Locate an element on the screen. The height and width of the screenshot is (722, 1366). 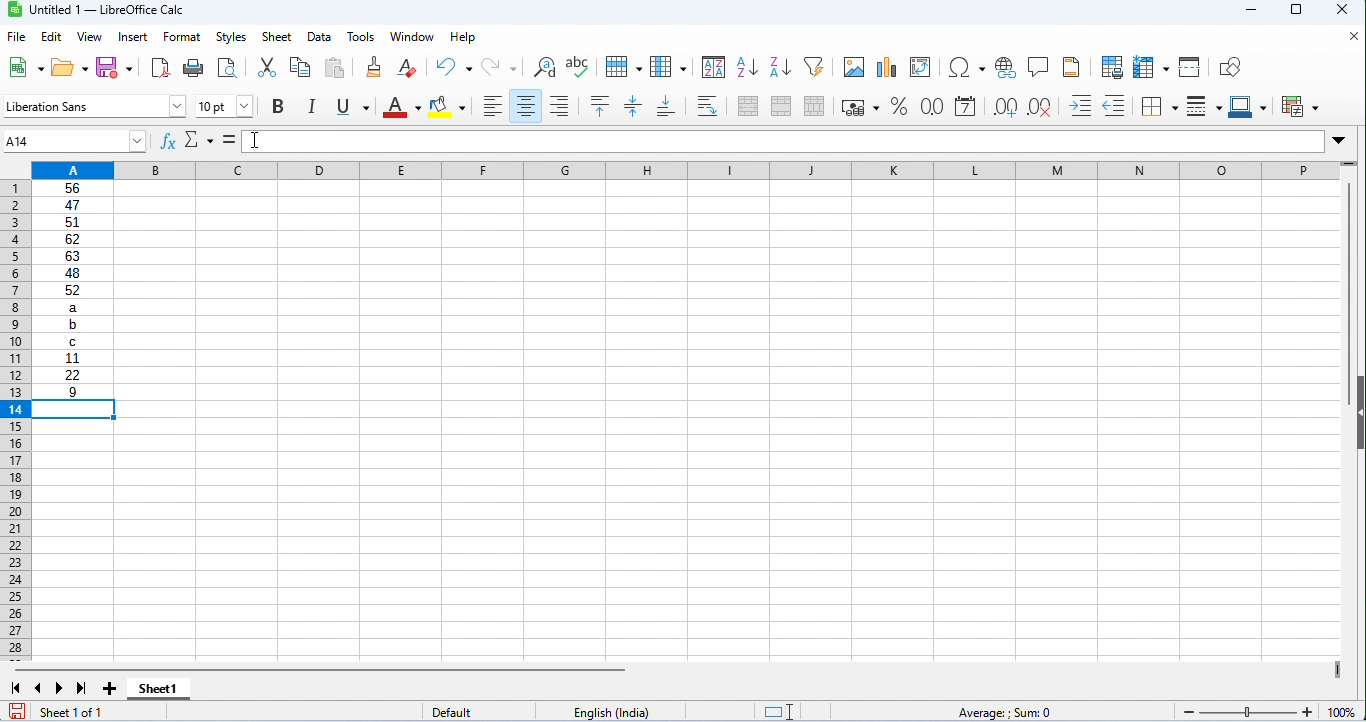
51 is located at coordinates (72, 223).